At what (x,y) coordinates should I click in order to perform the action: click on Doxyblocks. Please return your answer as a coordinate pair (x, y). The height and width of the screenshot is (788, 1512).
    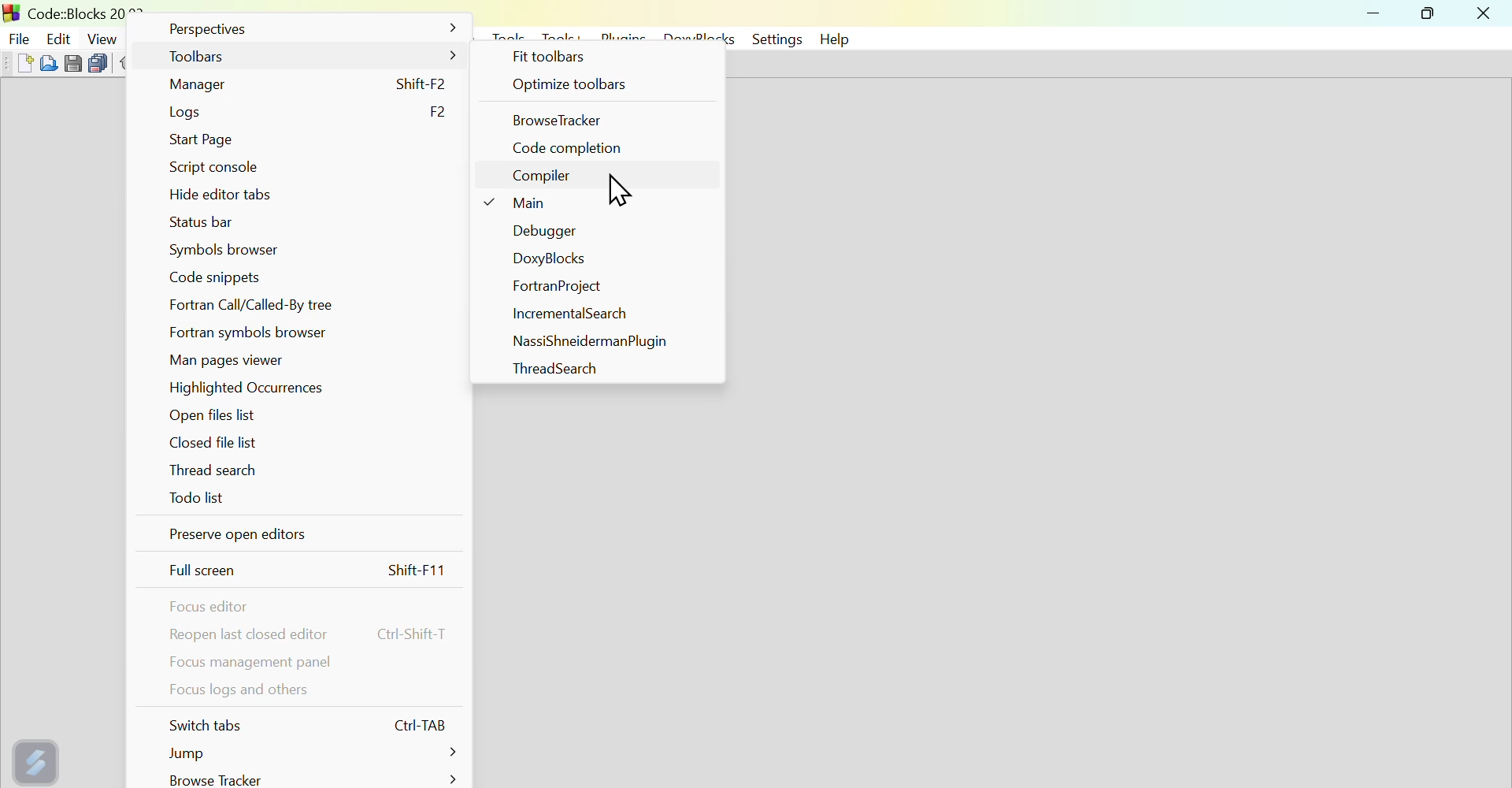
    Looking at the image, I should click on (551, 260).